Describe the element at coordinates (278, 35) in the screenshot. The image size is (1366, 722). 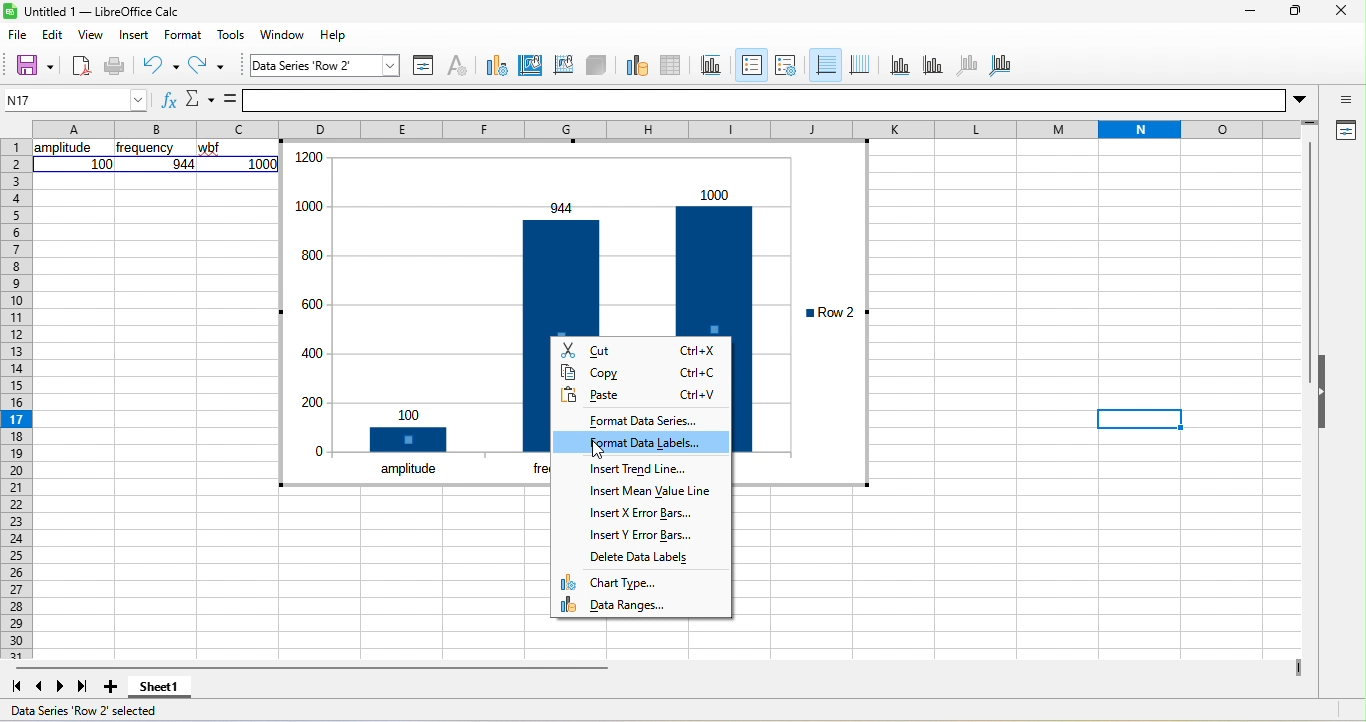
I see `window` at that location.